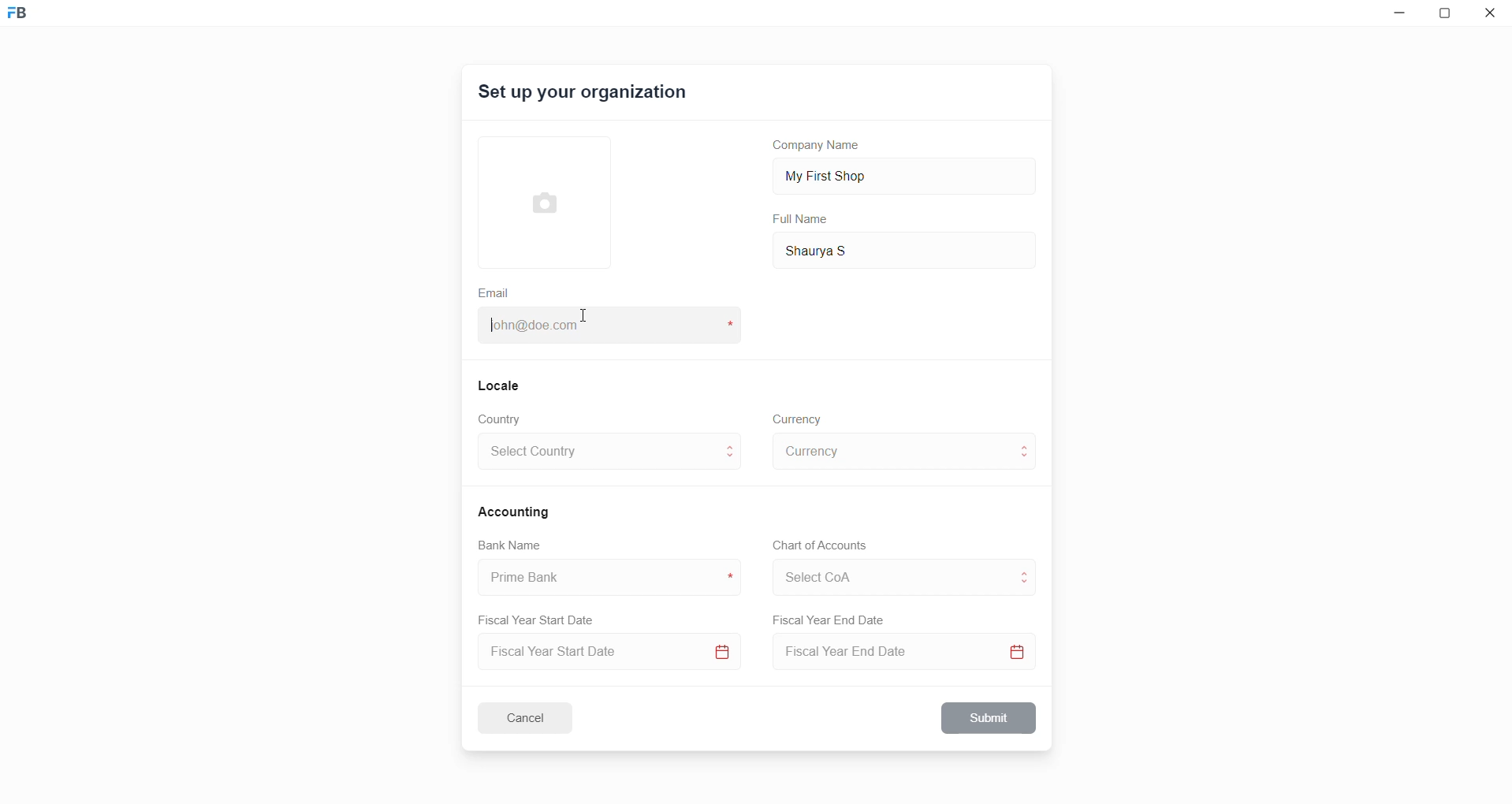 This screenshot has width=1512, height=804. Describe the element at coordinates (1449, 16) in the screenshot. I see `resize ` at that location.